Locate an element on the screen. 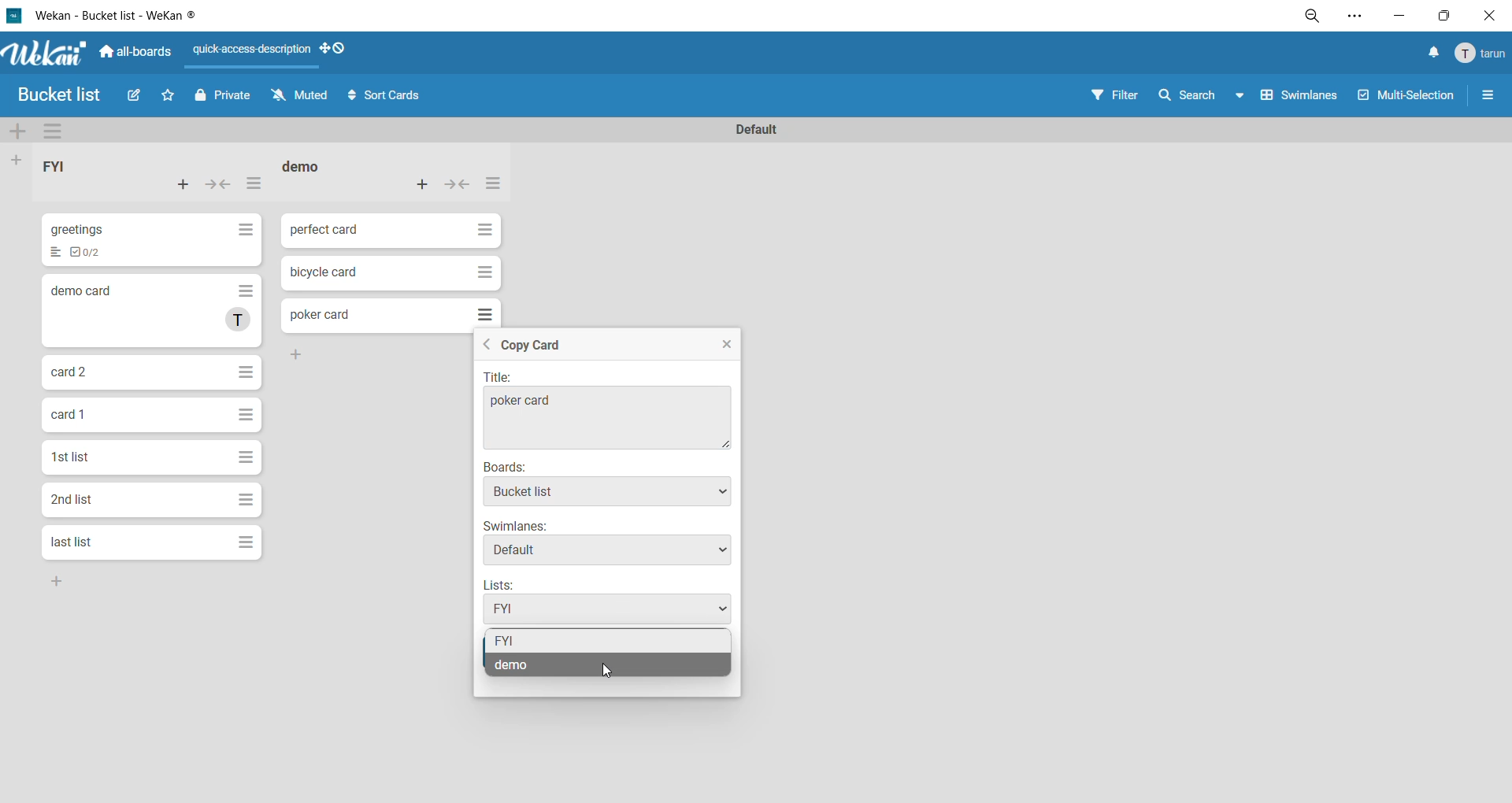  minimize is located at coordinates (1395, 16).